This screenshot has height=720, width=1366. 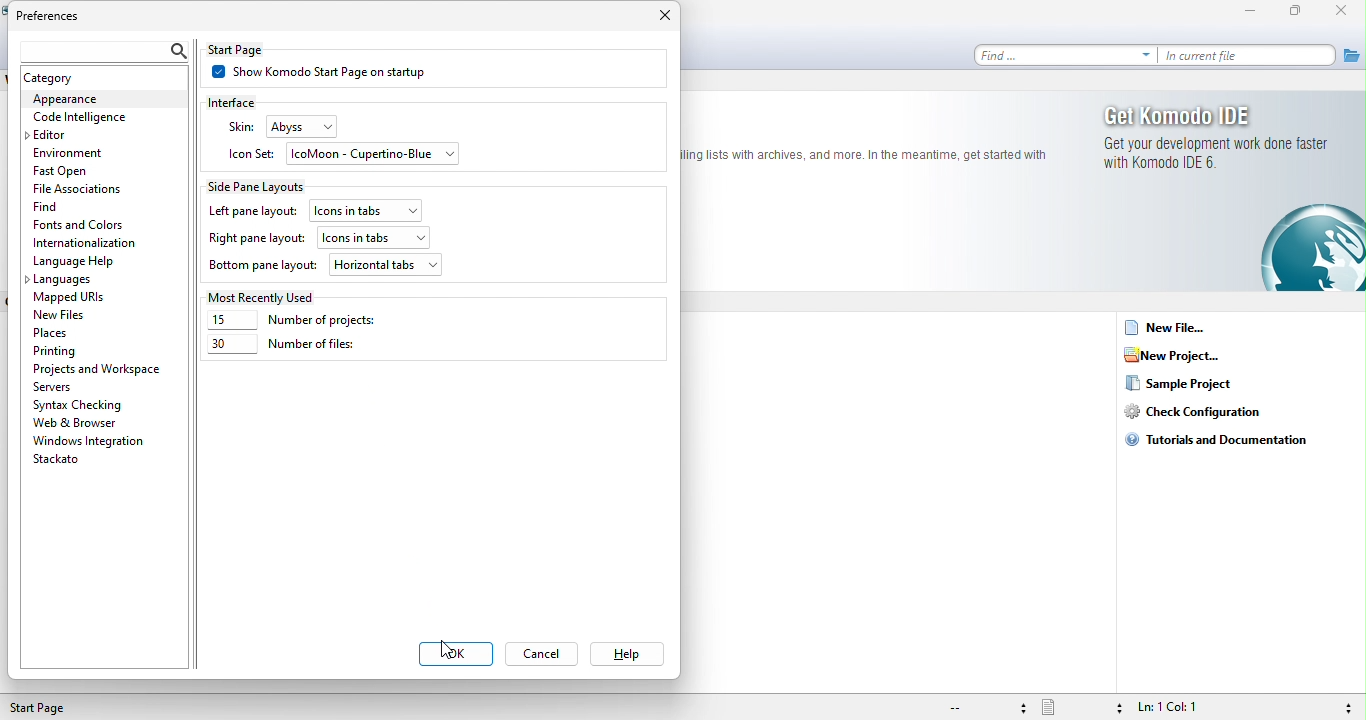 What do you see at coordinates (307, 321) in the screenshot?
I see `number of projects` at bounding box center [307, 321].